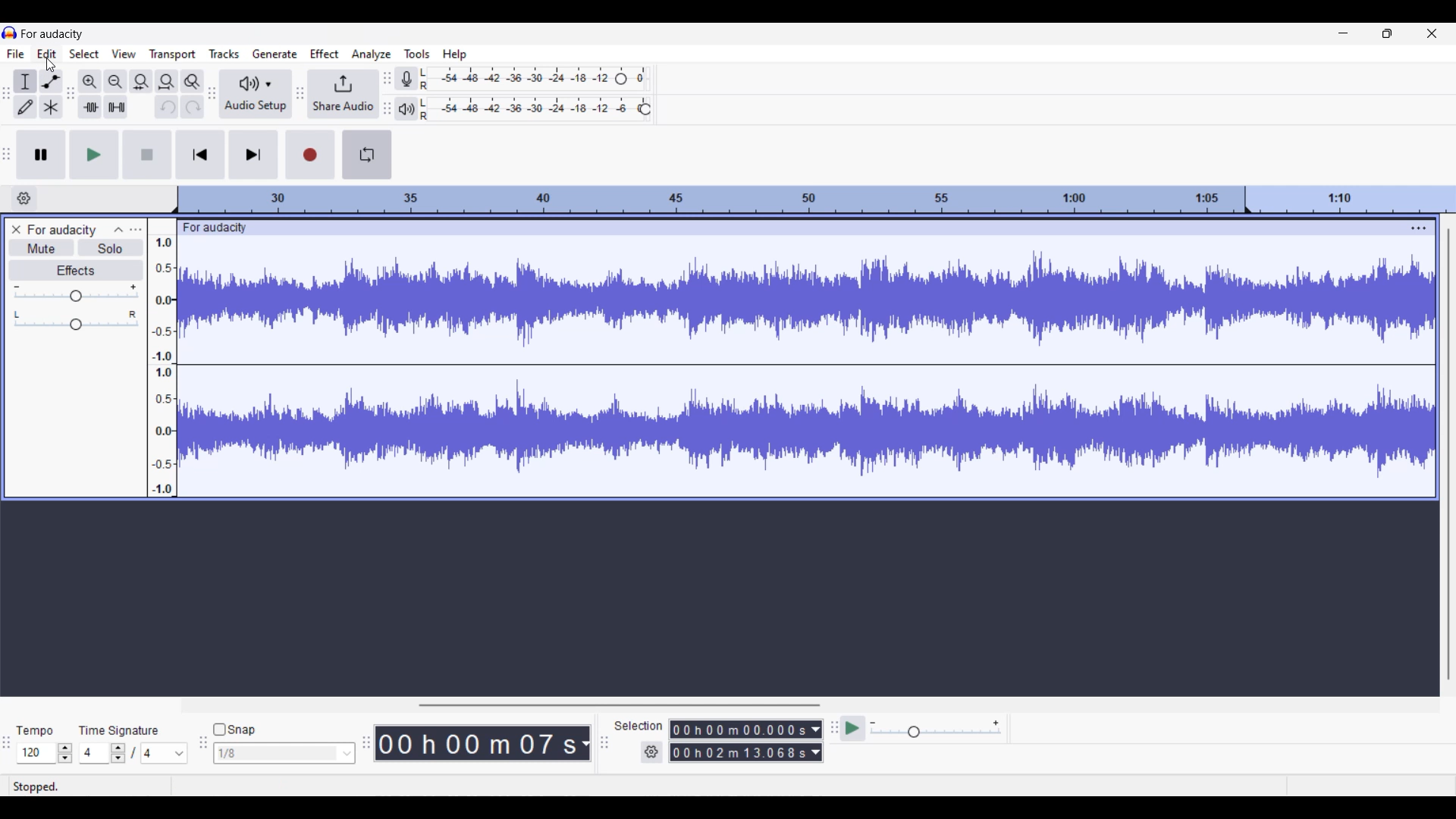 The image size is (1456, 819). What do you see at coordinates (141, 82) in the screenshot?
I see `Fit selection to width` at bounding box center [141, 82].